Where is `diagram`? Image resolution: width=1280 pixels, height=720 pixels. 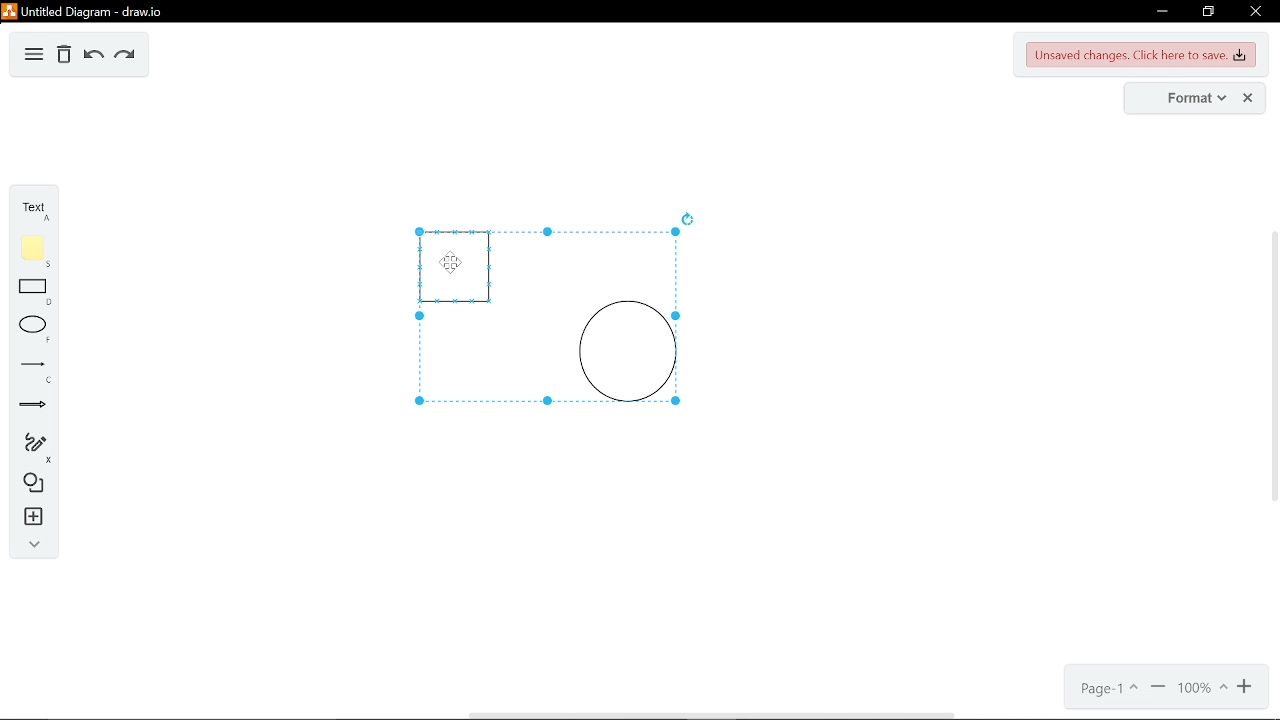 diagram is located at coordinates (34, 55).